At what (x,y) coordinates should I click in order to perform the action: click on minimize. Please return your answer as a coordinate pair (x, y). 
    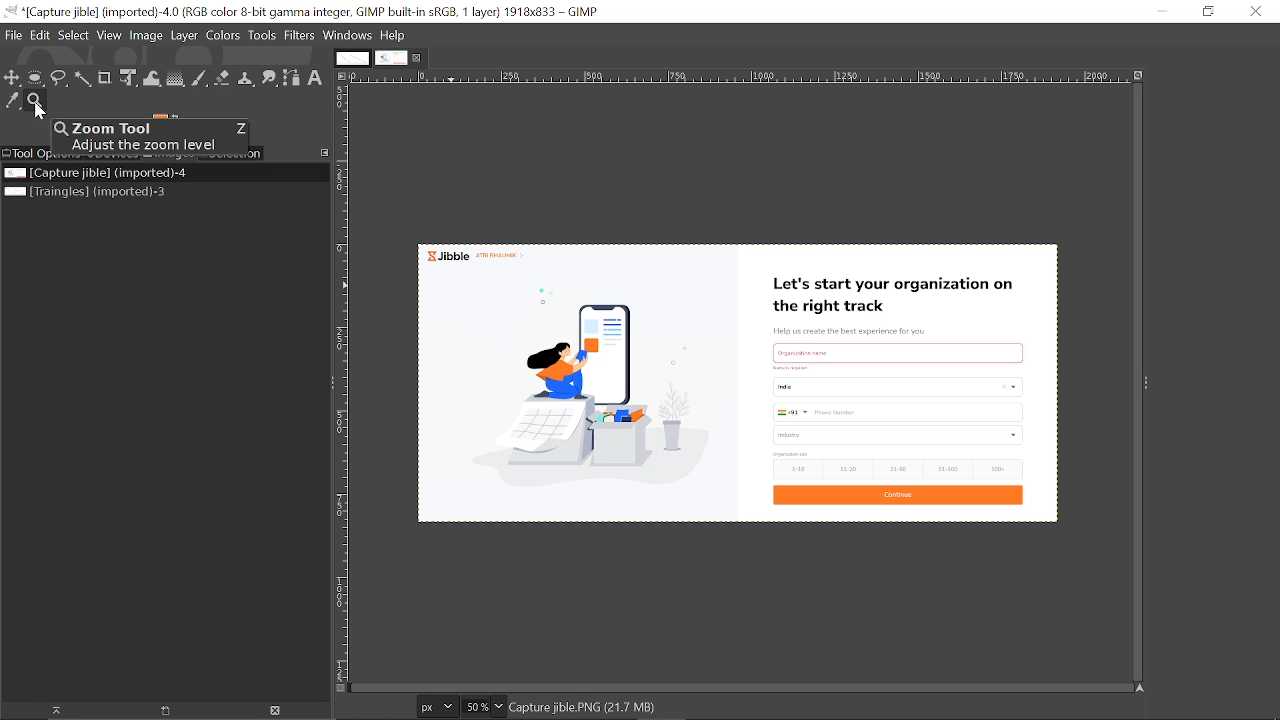
    Looking at the image, I should click on (1162, 13).